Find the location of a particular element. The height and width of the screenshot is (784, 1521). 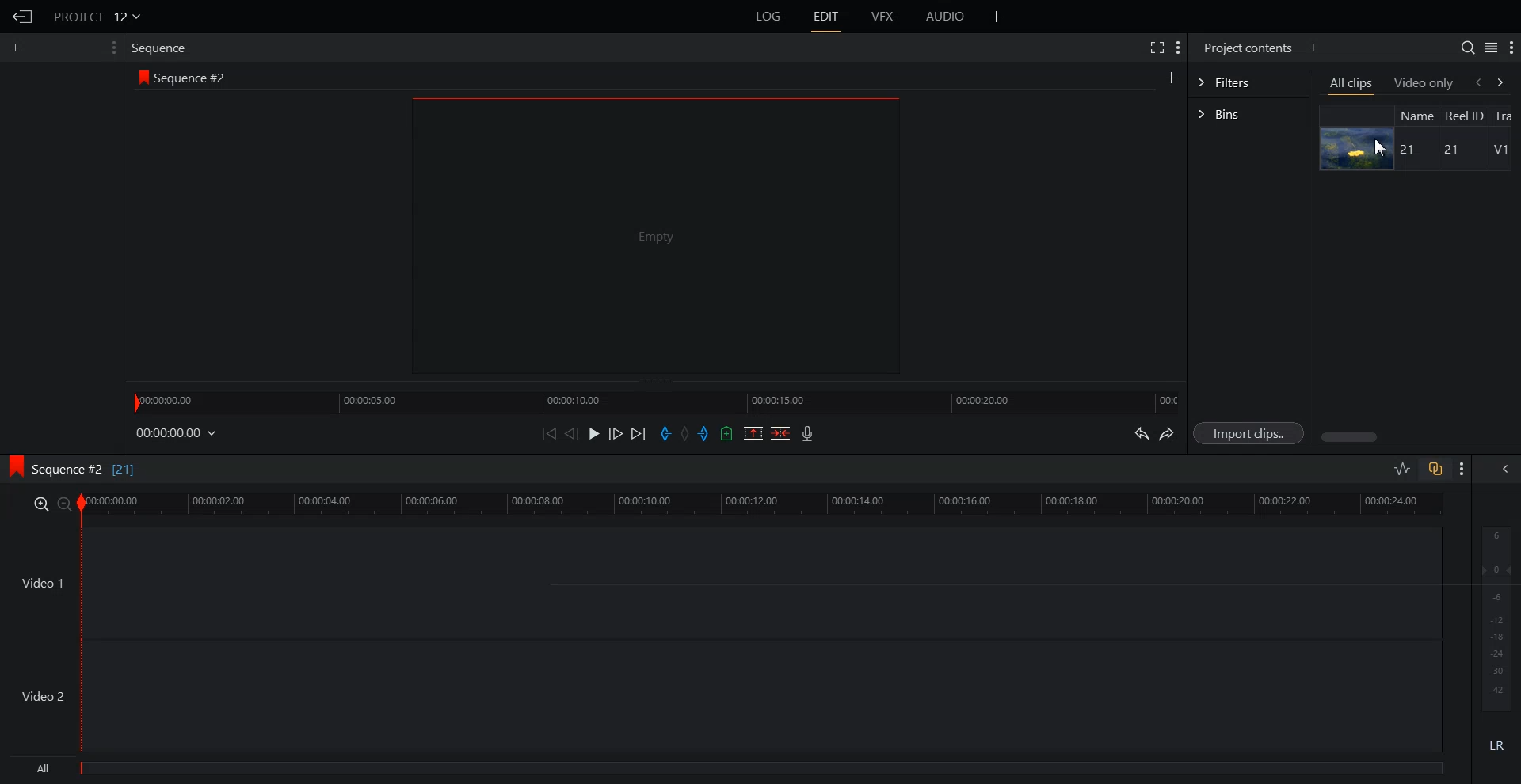

Delete is located at coordinates (780, 432).